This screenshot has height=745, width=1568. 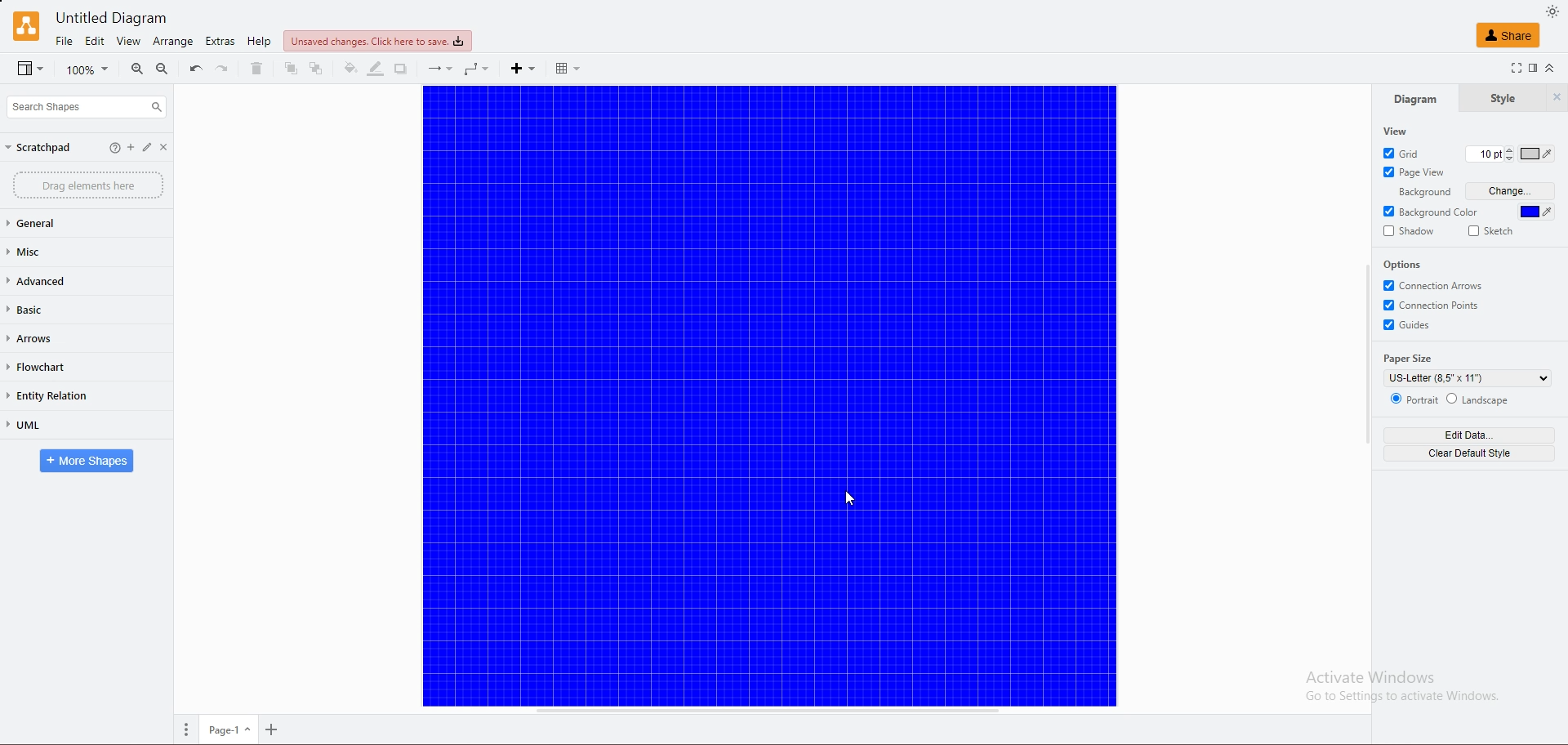 What do you see at coordinates (1411, 359) in the screenshot?
I see `paper size` at bounding box center [1411, 359].